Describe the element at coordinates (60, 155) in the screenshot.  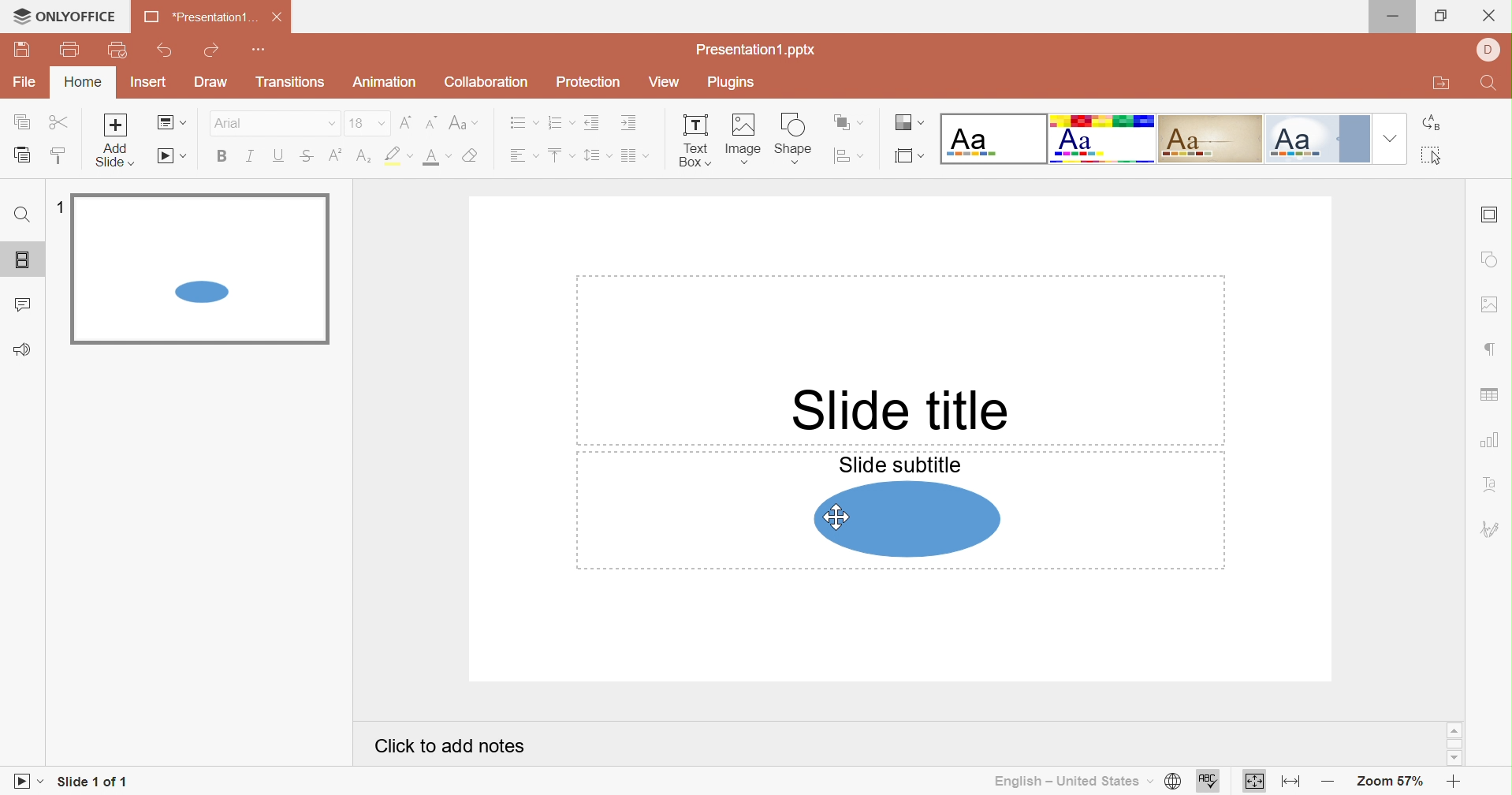
I see `Copy style` at that location.